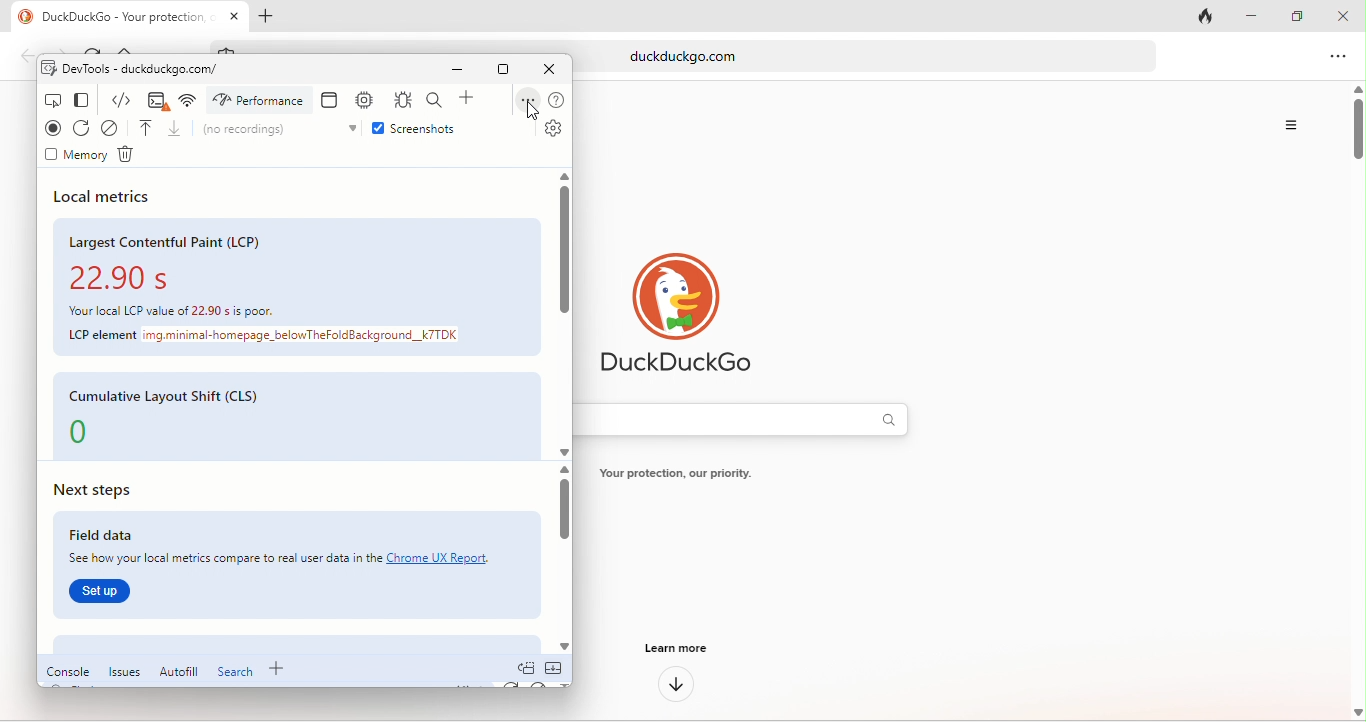 The width and height of the screenshot is (1366, 722). Describe the element at coordinates (182, 392) in the screenshot. I see `cumulative layout shift(CLS)` at that location.